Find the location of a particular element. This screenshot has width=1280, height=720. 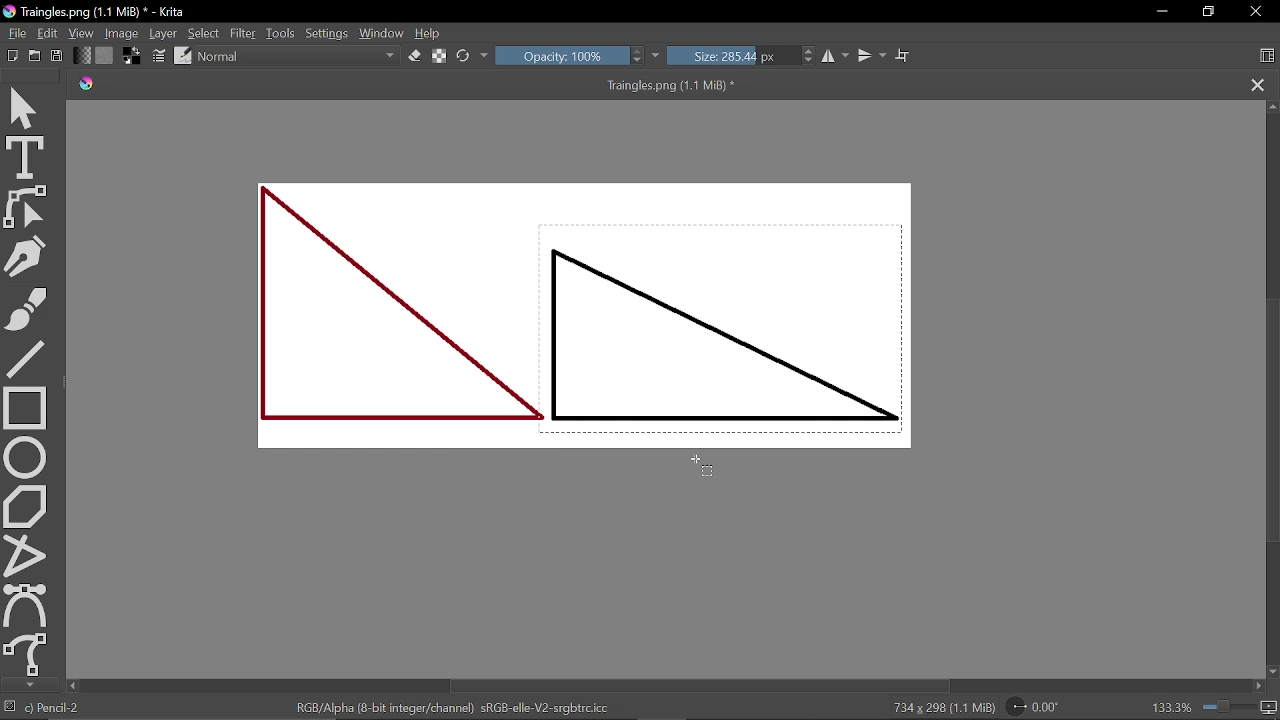

RGB/Alpha (8-bit integer/channel) sRGB-elle-V2-srgbtrc.icc is located at coordinates (450, 708).